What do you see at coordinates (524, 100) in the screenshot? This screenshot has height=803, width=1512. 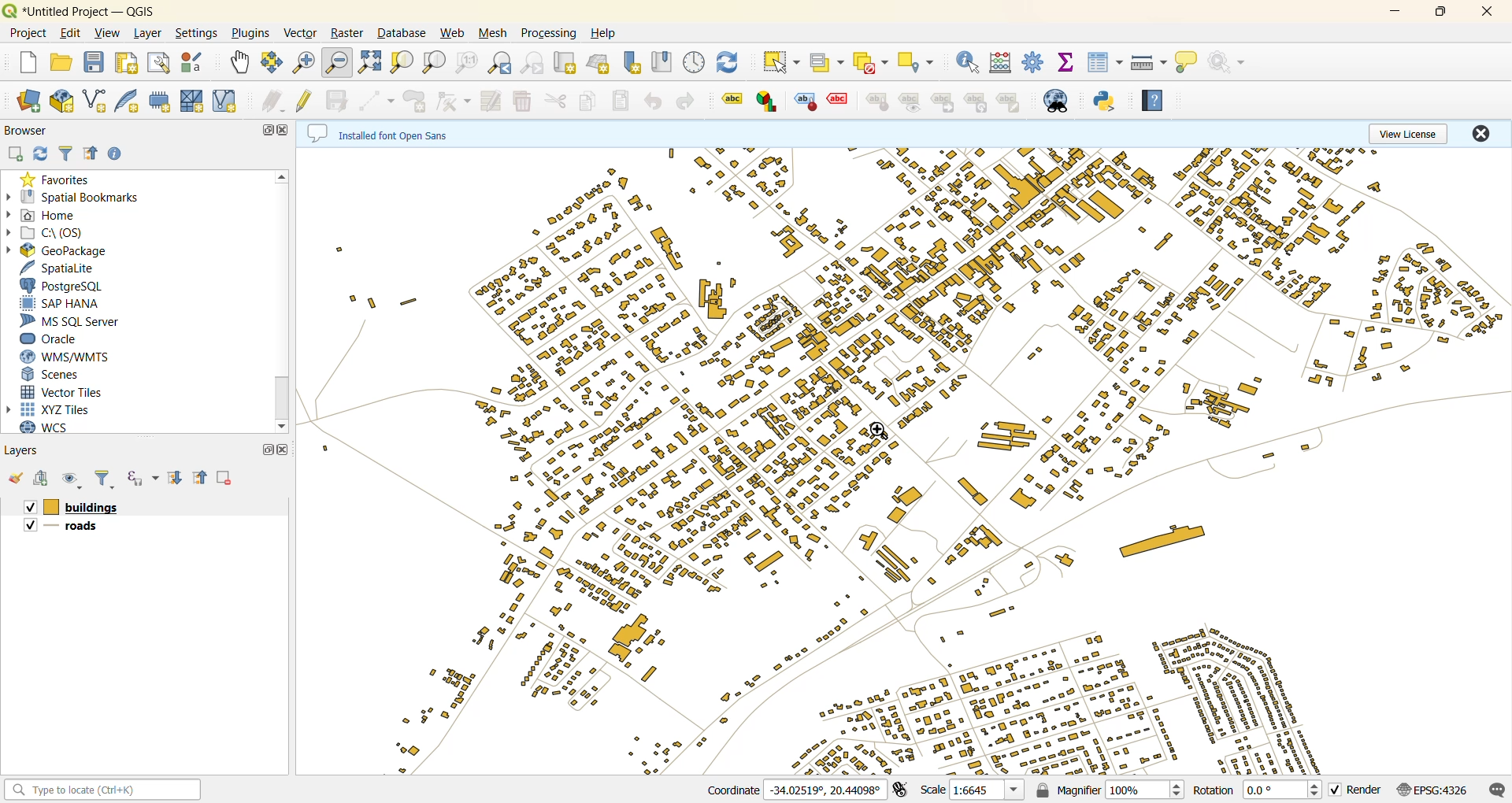 I see `delete` at bounding box center [524, 100].